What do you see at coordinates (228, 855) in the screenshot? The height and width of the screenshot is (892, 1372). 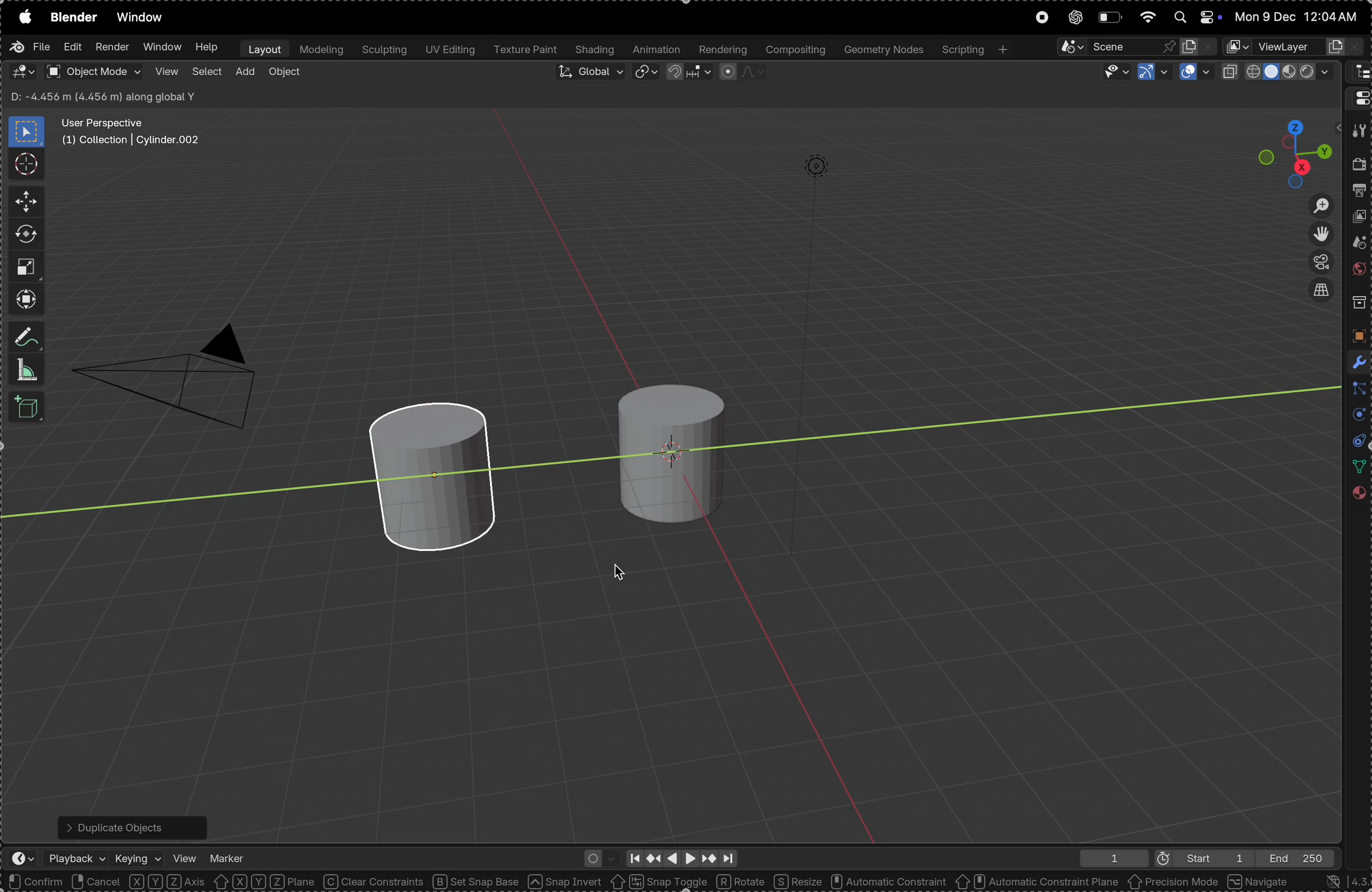 I see `marker` at bounding box center [228, 855].